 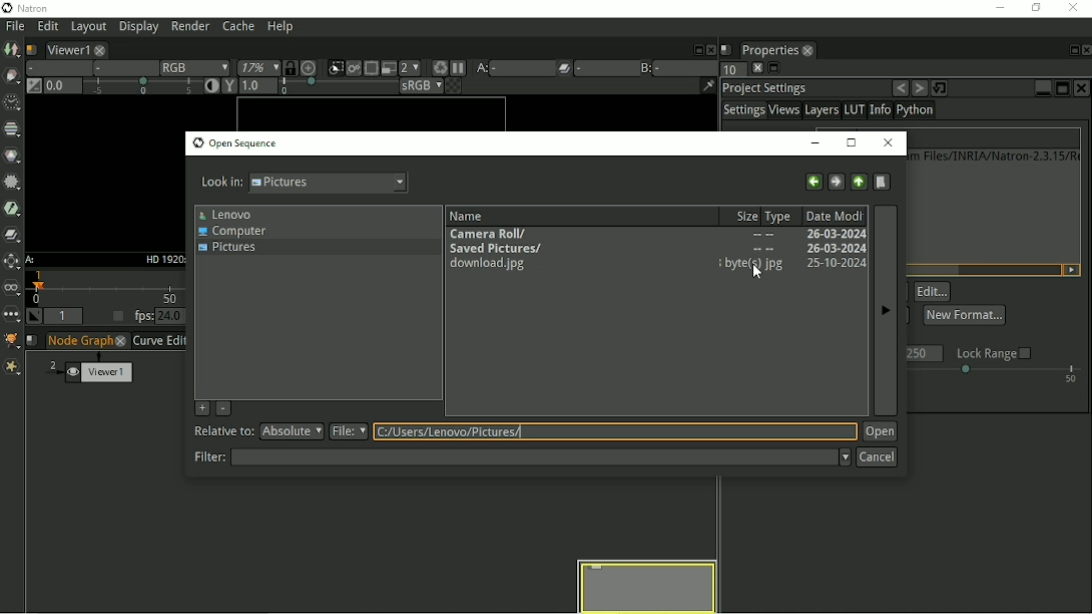 What do you see at coordinates (10, 101) in the screenshot?
I see `Time` at bounding box center [10, 101].